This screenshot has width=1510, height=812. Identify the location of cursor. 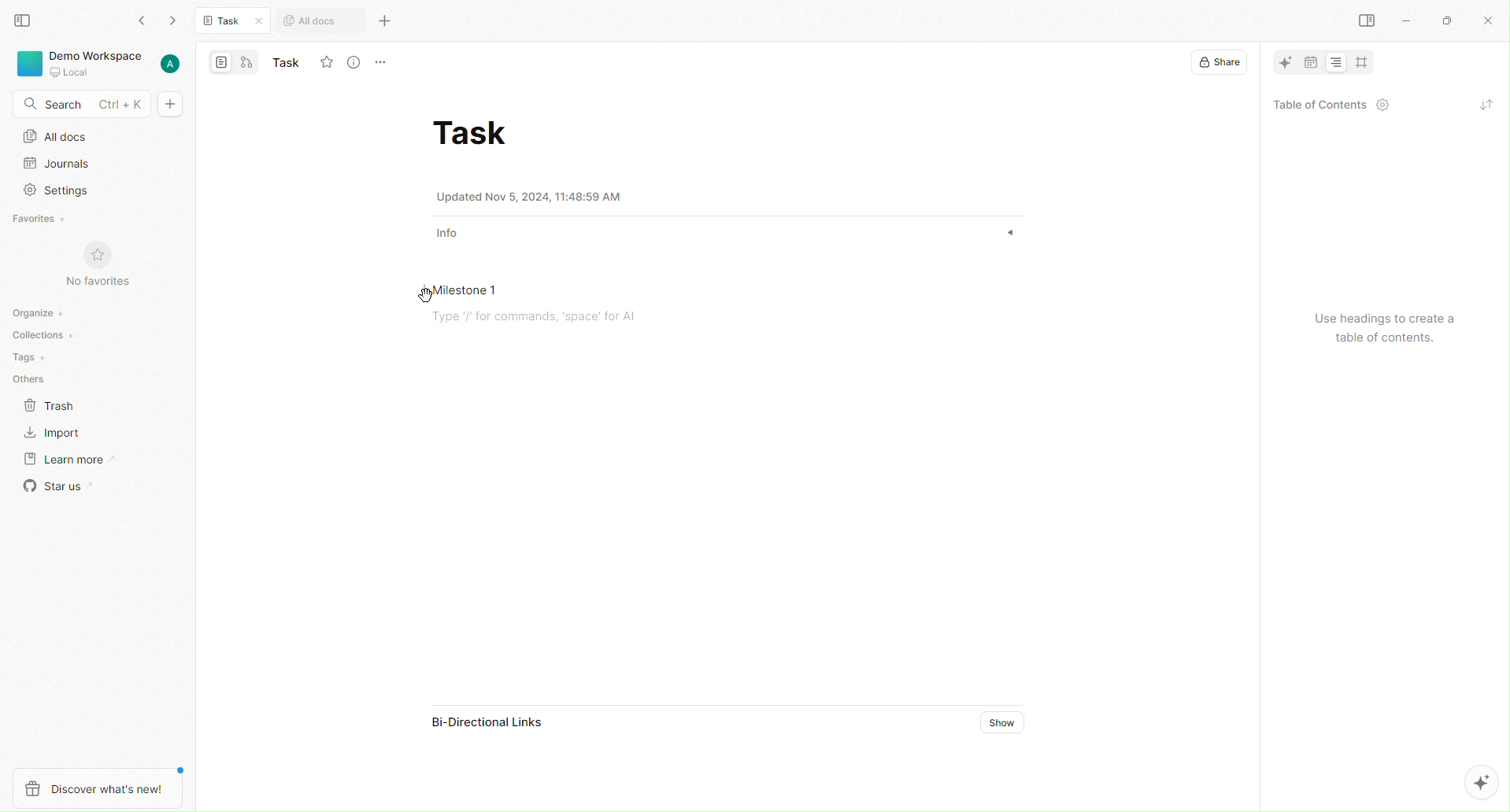
(425, 295).